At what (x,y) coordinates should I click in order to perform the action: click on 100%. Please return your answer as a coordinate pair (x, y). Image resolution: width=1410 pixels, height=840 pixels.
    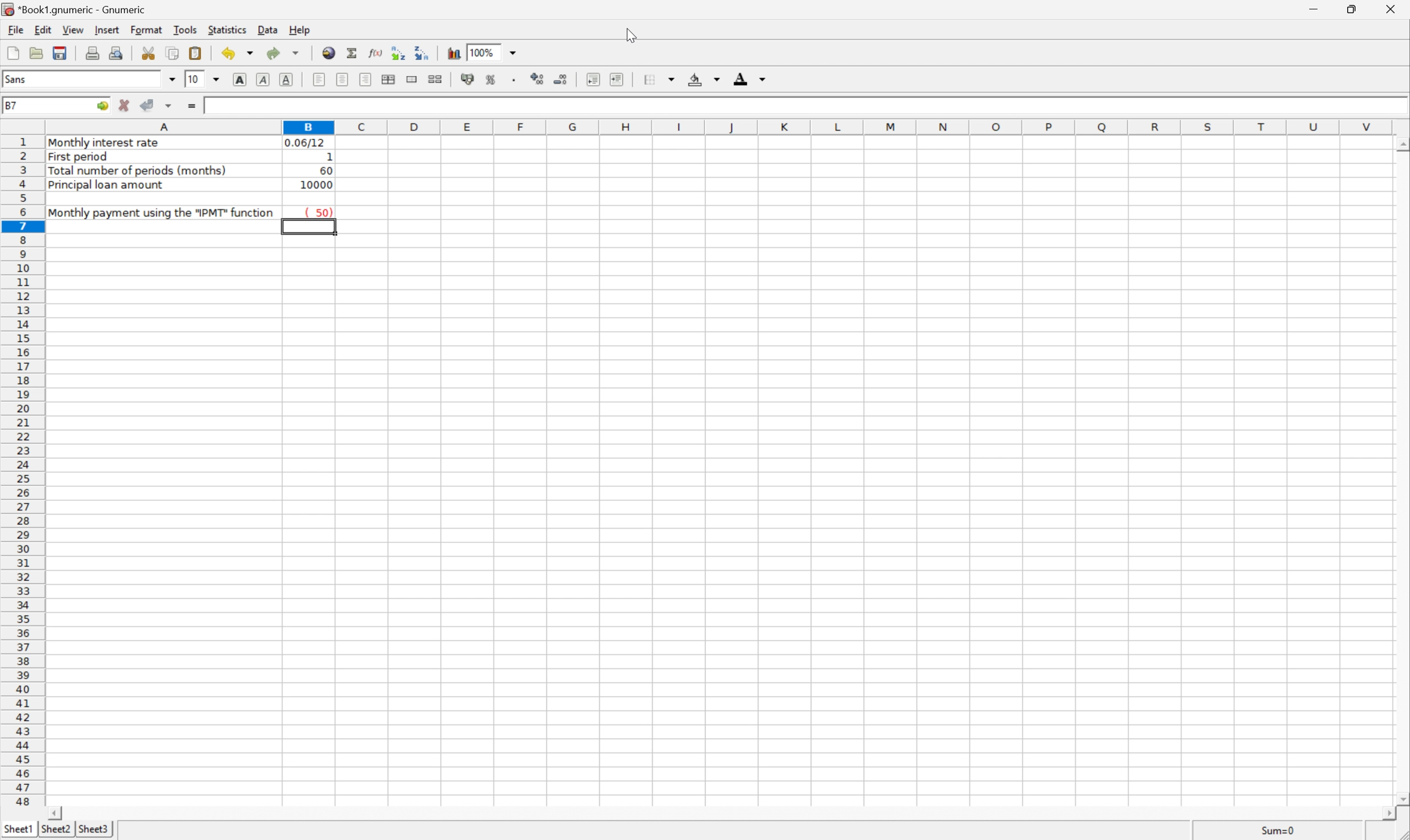
    Looking at the image, I should click on (481, 52).